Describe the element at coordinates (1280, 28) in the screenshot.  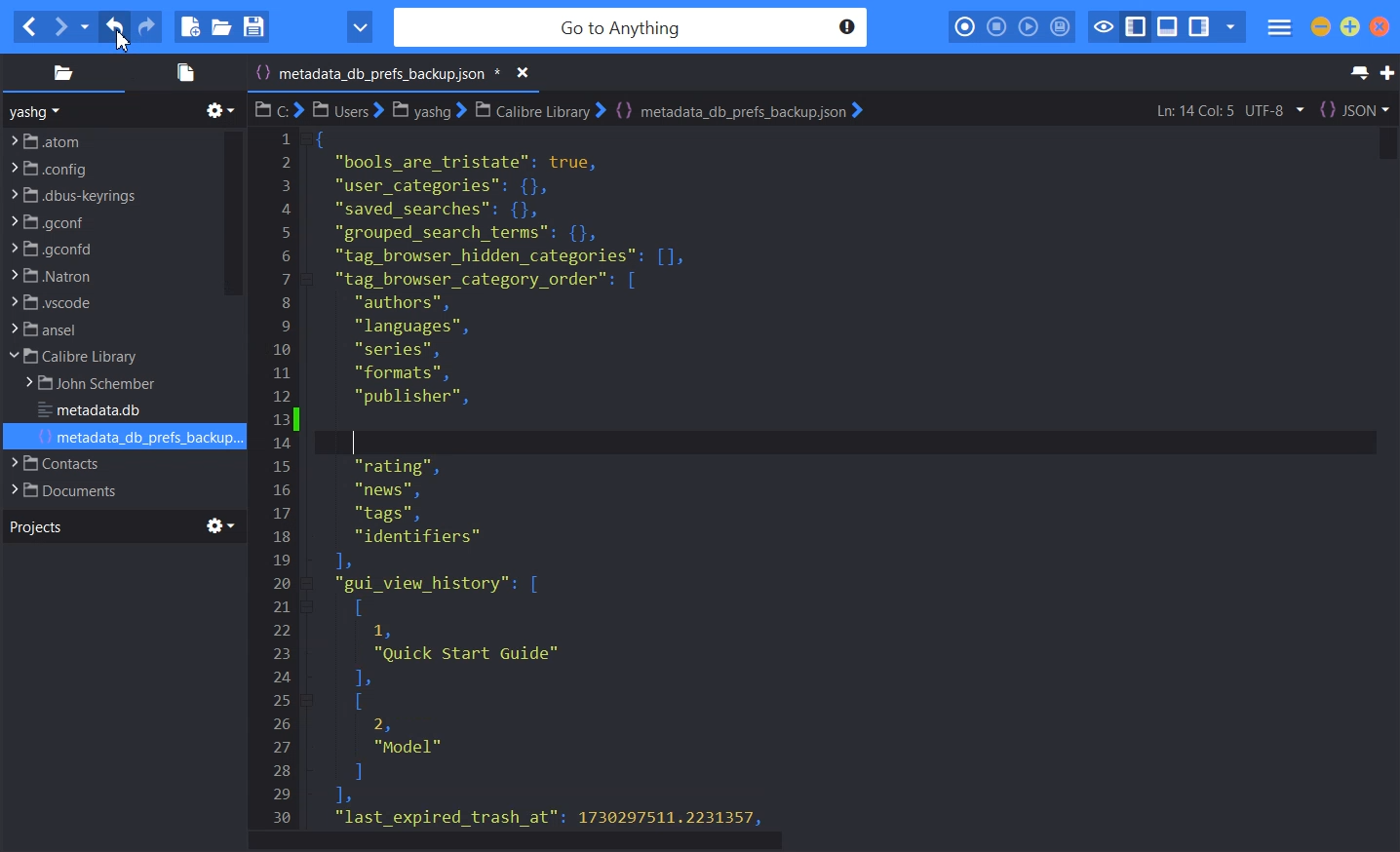
I see `Menu` at that location.